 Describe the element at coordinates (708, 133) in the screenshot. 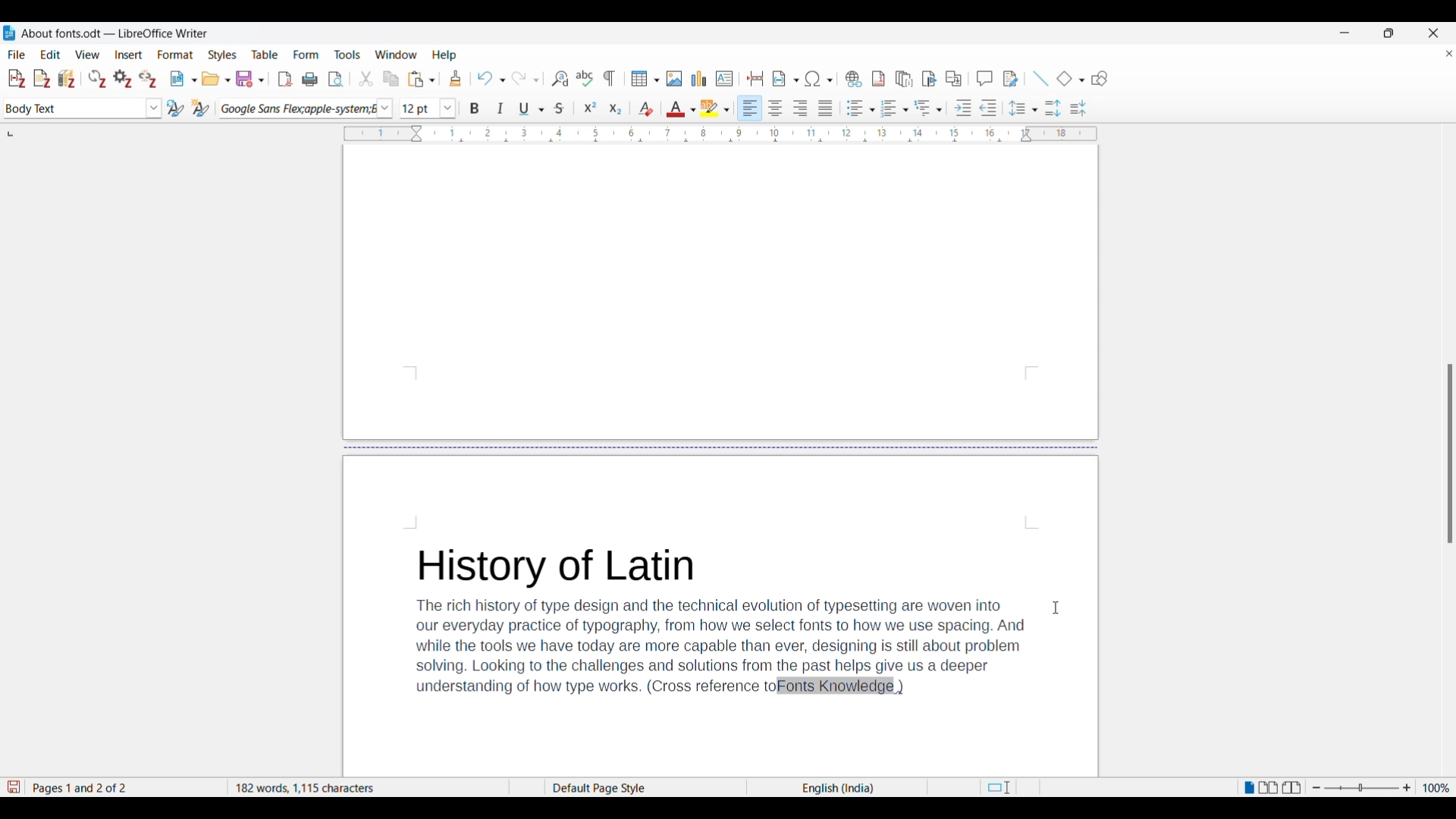

I see `Horizontal ruler` at that location.